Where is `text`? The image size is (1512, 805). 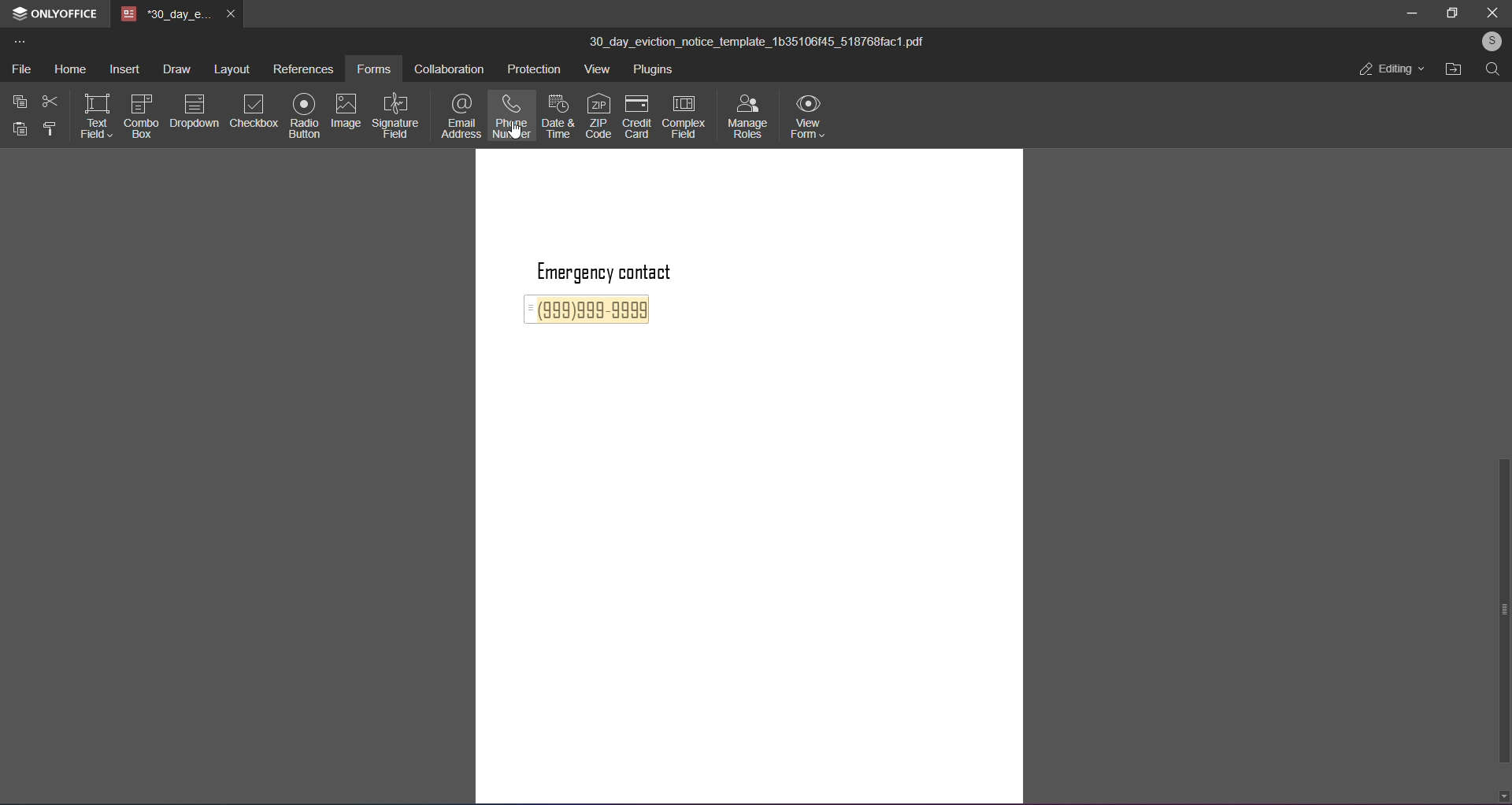 text is located at coordinates (619, 270).